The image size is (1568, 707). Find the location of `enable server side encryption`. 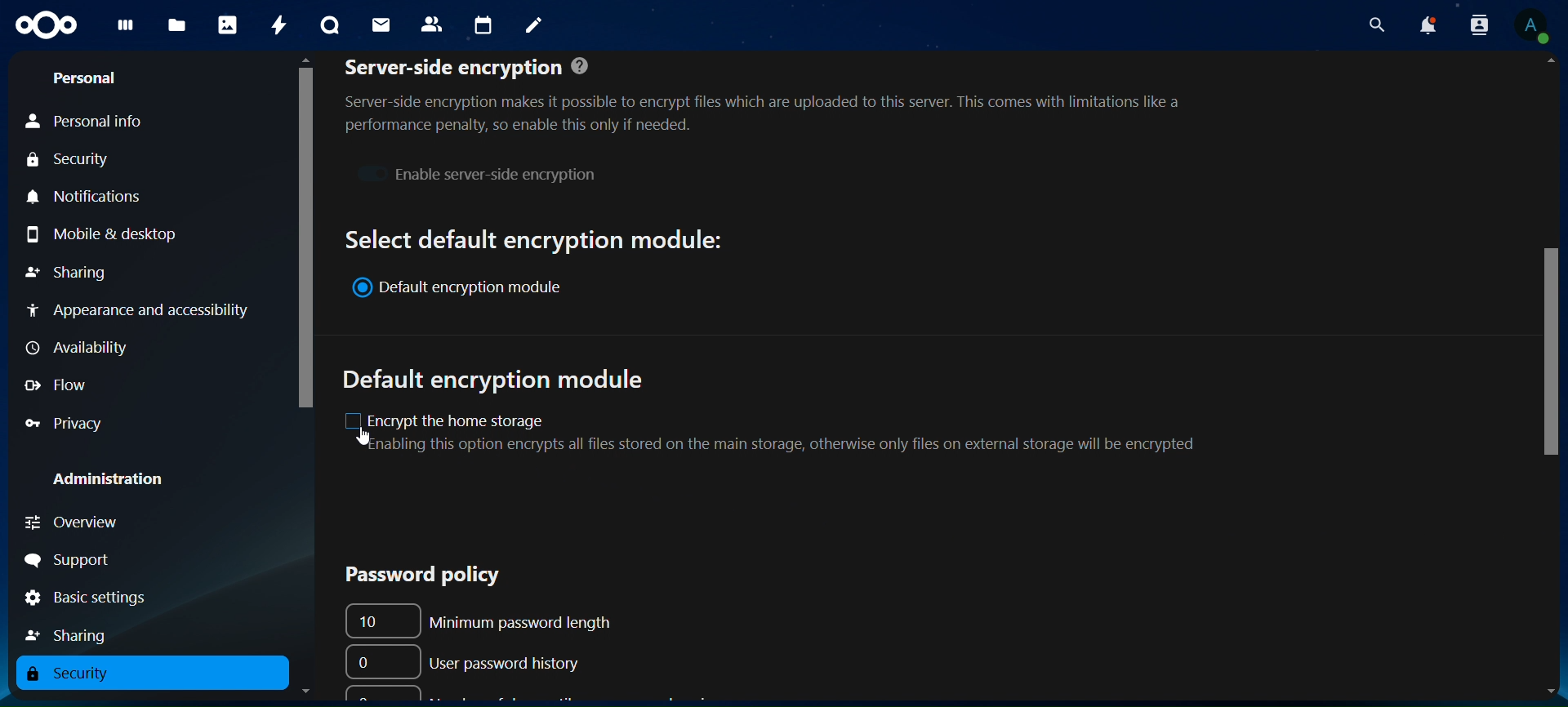

enable server side encryption is located at coordinates (475, 172).